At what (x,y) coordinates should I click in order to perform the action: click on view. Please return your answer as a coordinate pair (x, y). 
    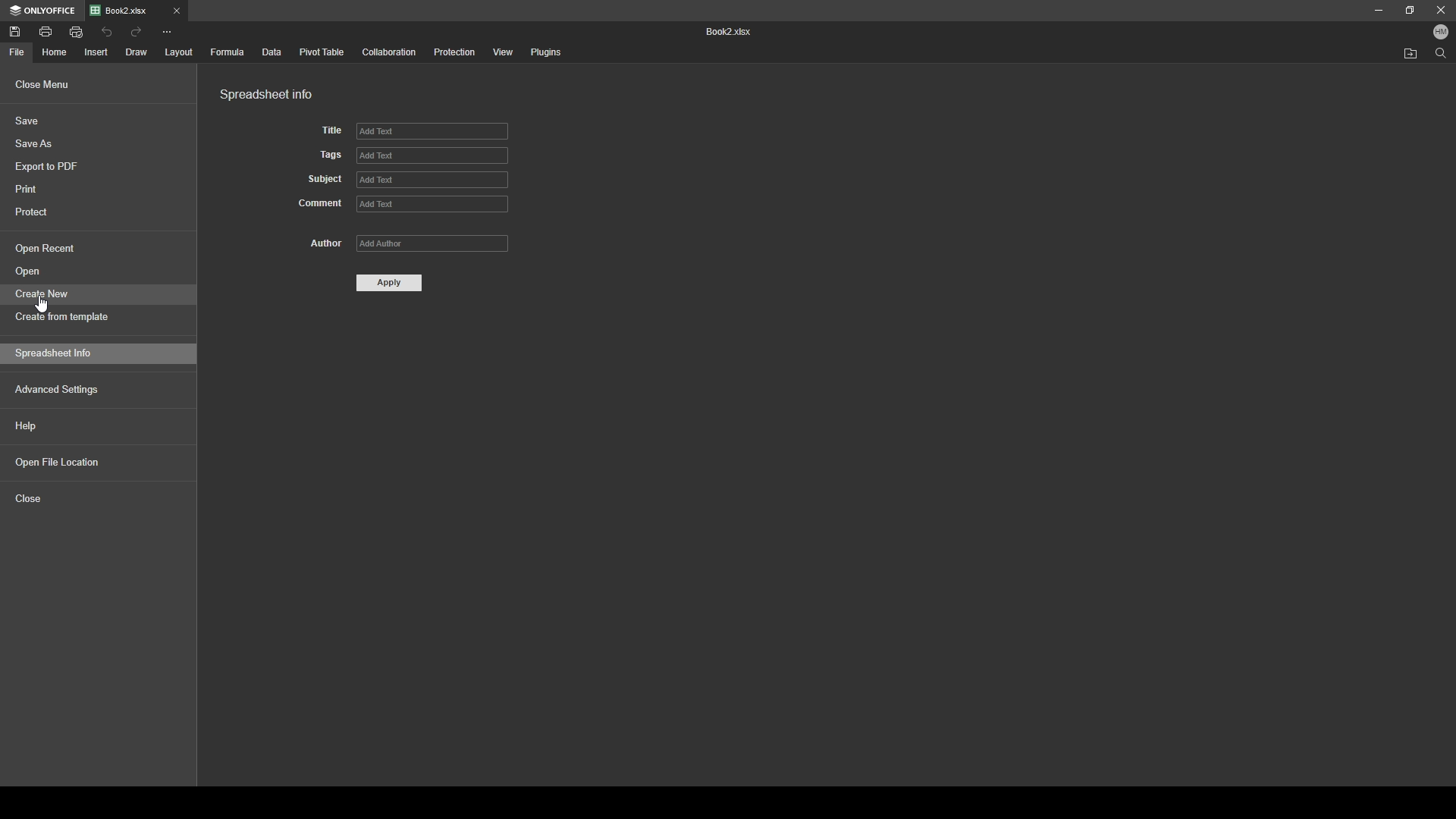
    Looking at the image, I should click on (503, 52).